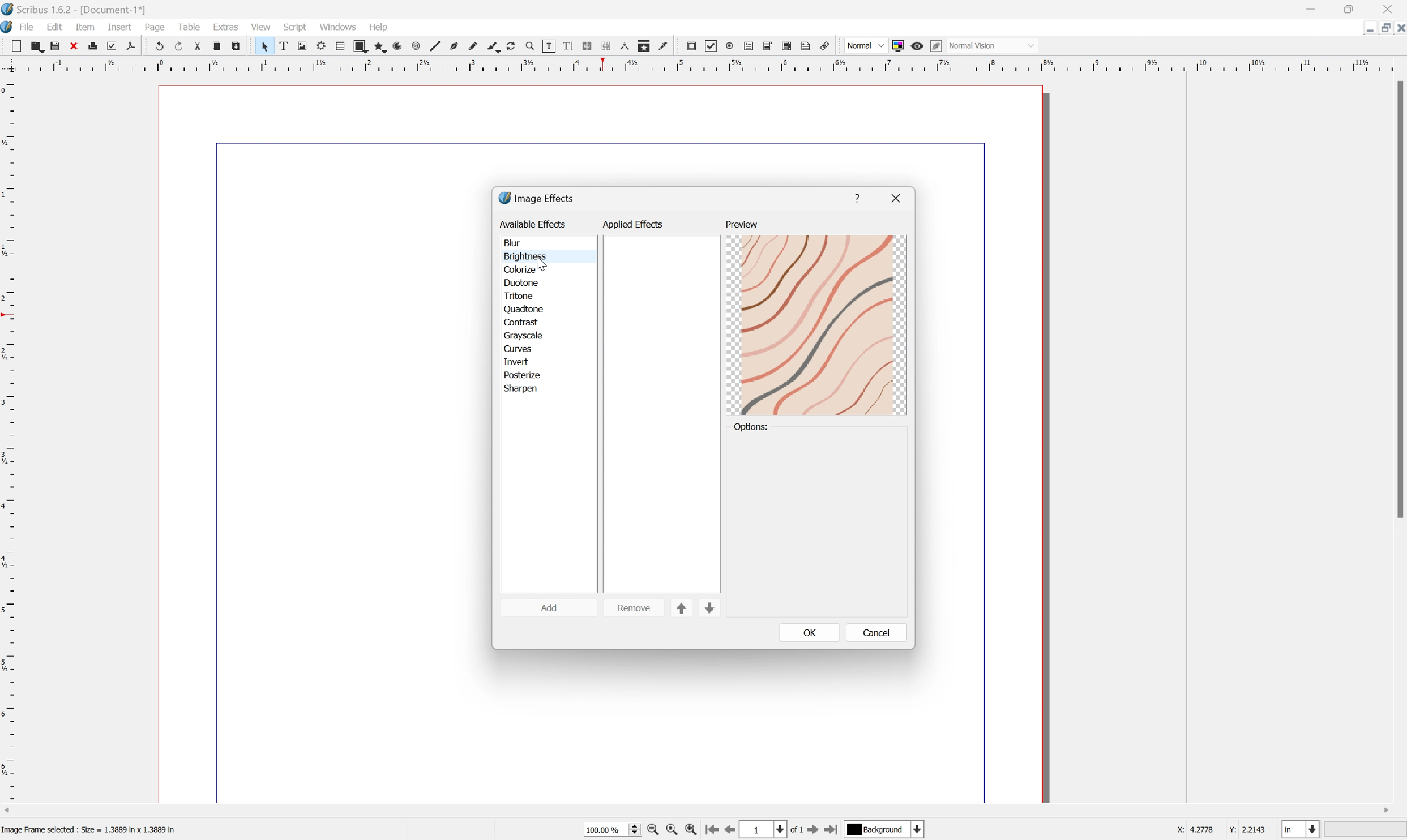  What do you see at coordinates (521, 373) in the screenshot?
I see `posterize` at bounding box center [521, 373].